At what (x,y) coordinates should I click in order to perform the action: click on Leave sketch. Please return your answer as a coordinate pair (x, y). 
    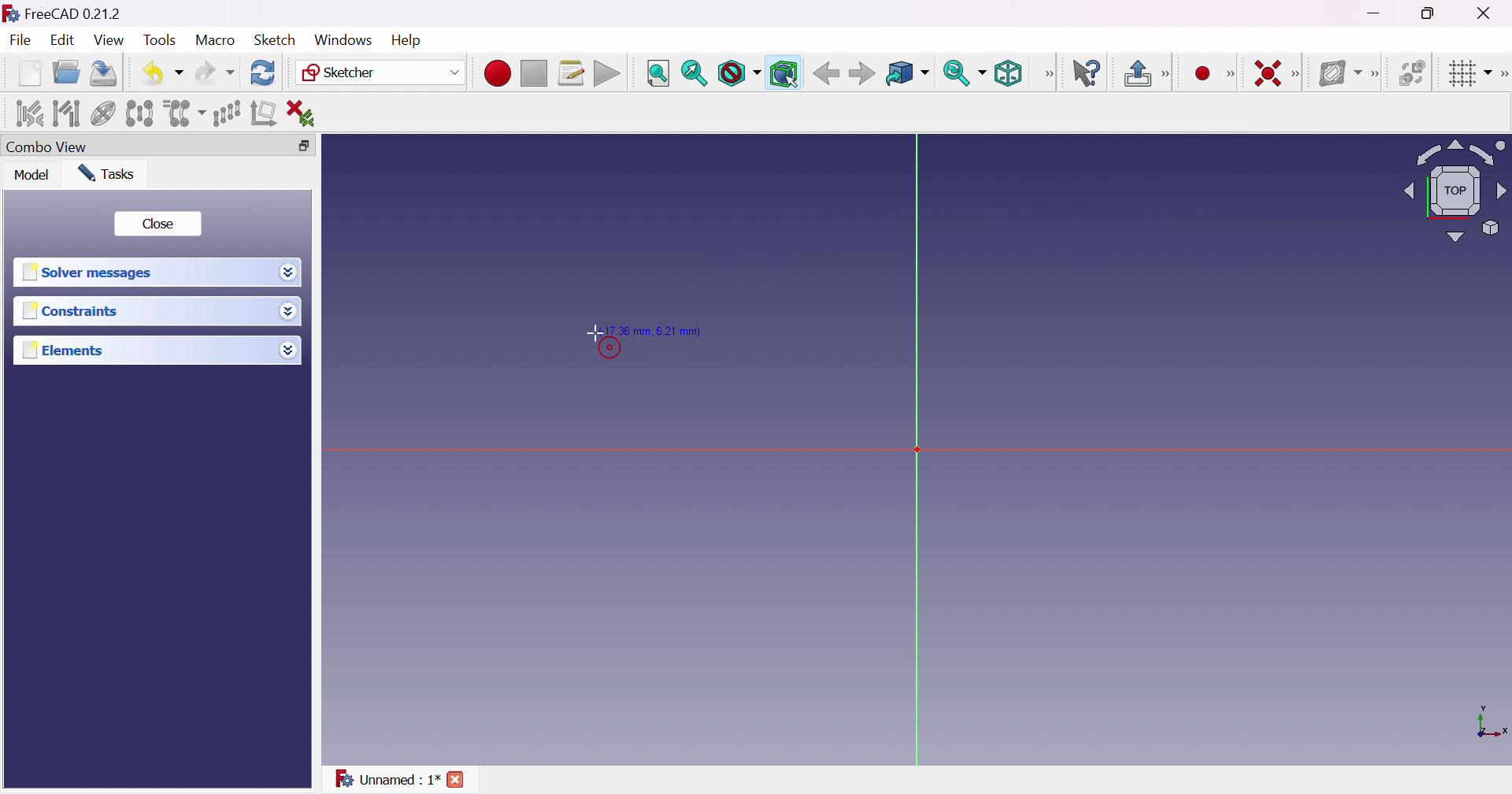
    Looking at the image, I should click on (1136, 72).